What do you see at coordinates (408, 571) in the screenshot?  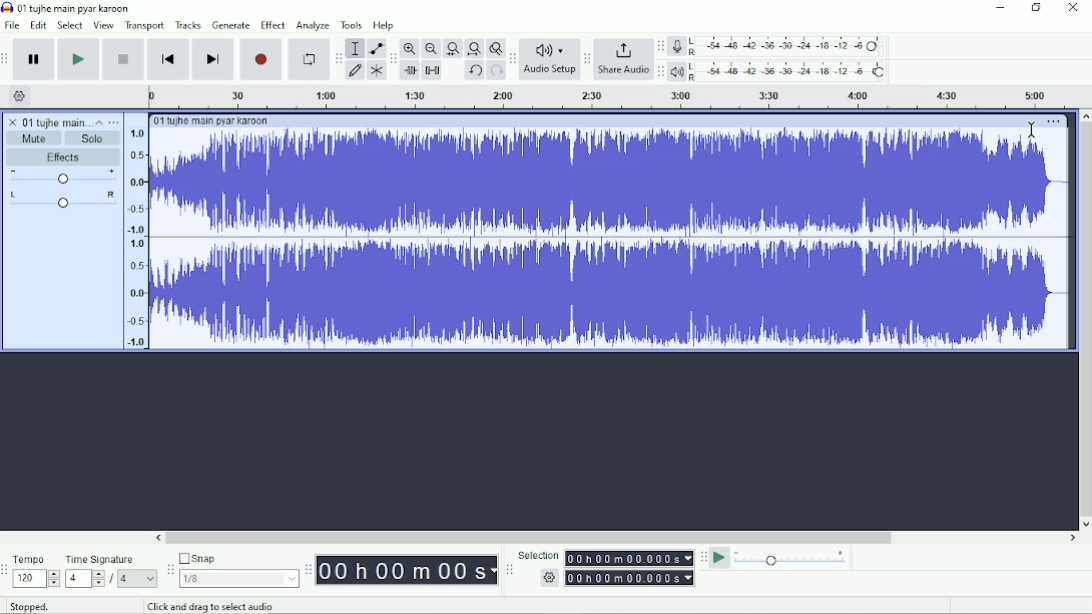 I see `00h00m00s` at bounding box center [408, 571].